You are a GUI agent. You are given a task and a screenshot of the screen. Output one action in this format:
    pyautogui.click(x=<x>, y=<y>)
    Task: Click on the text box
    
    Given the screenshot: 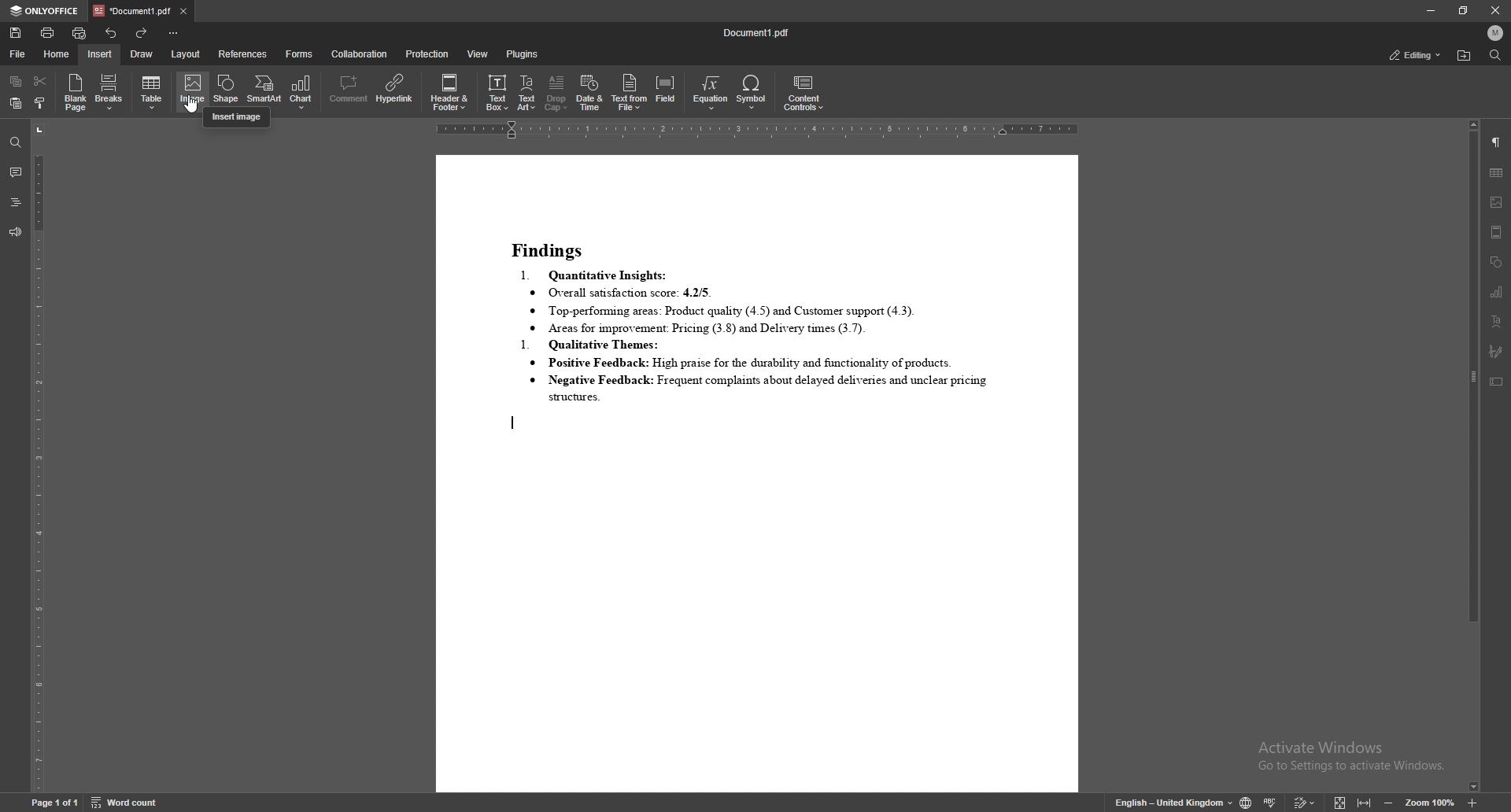 What is the action you would take?
    pyautogui.click(x=1496, y=382)
    